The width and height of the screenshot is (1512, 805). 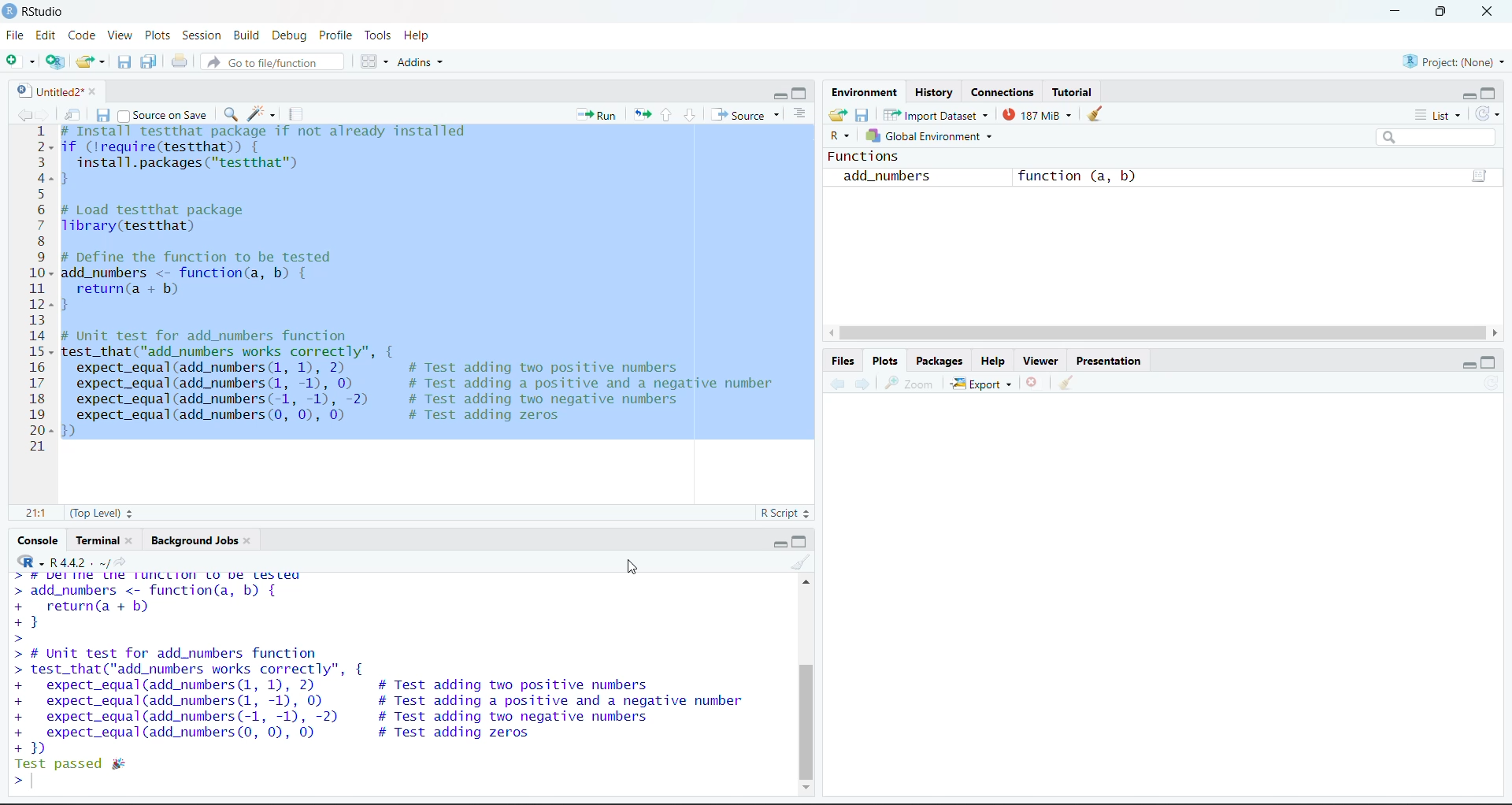 What do you see at coordinates (885, 176) in the screenshot?
I see `add_numbers` at bounding box center [885, 176].